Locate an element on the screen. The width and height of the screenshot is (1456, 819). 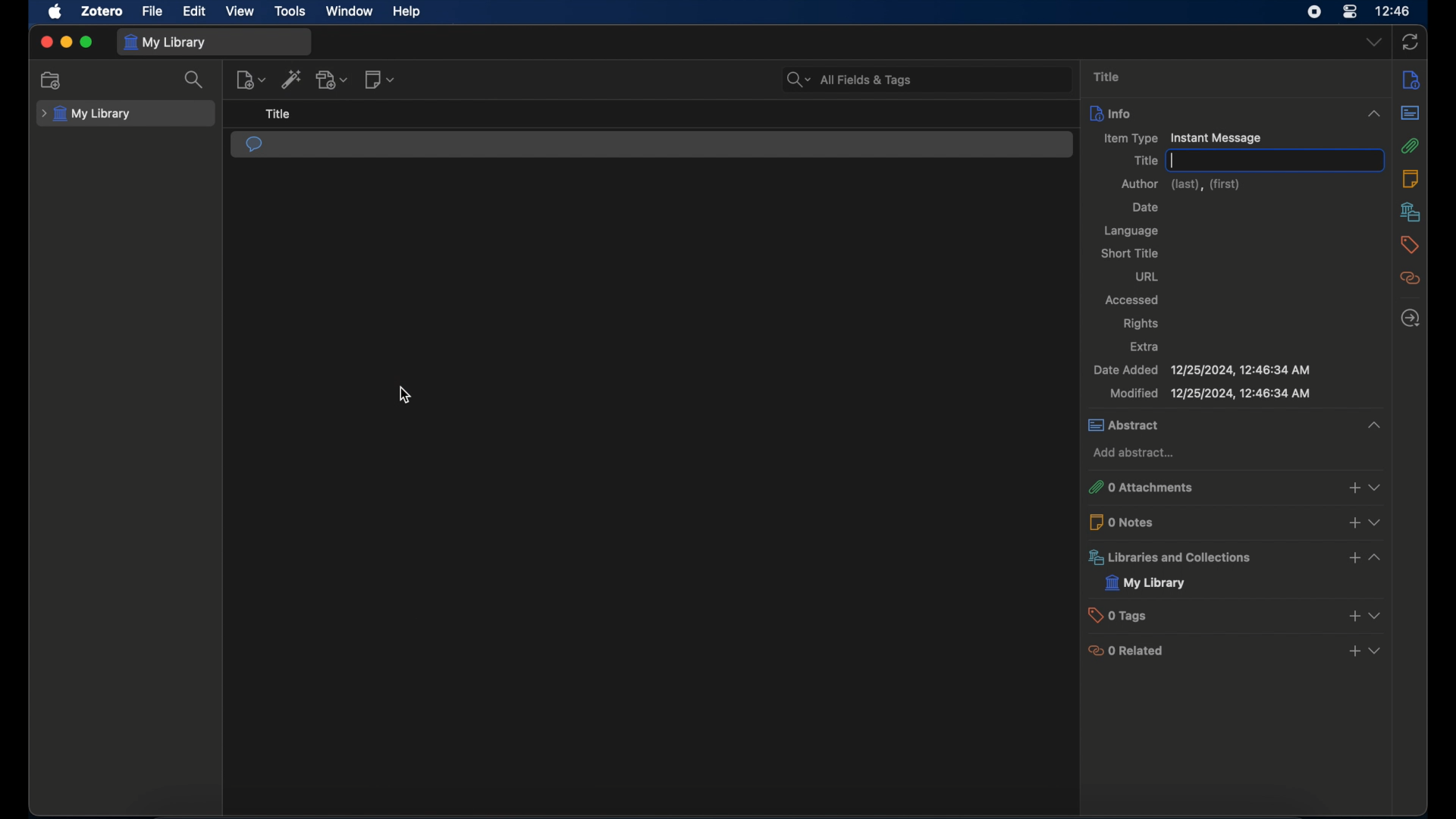
apple is located at coordinates (55, 12).